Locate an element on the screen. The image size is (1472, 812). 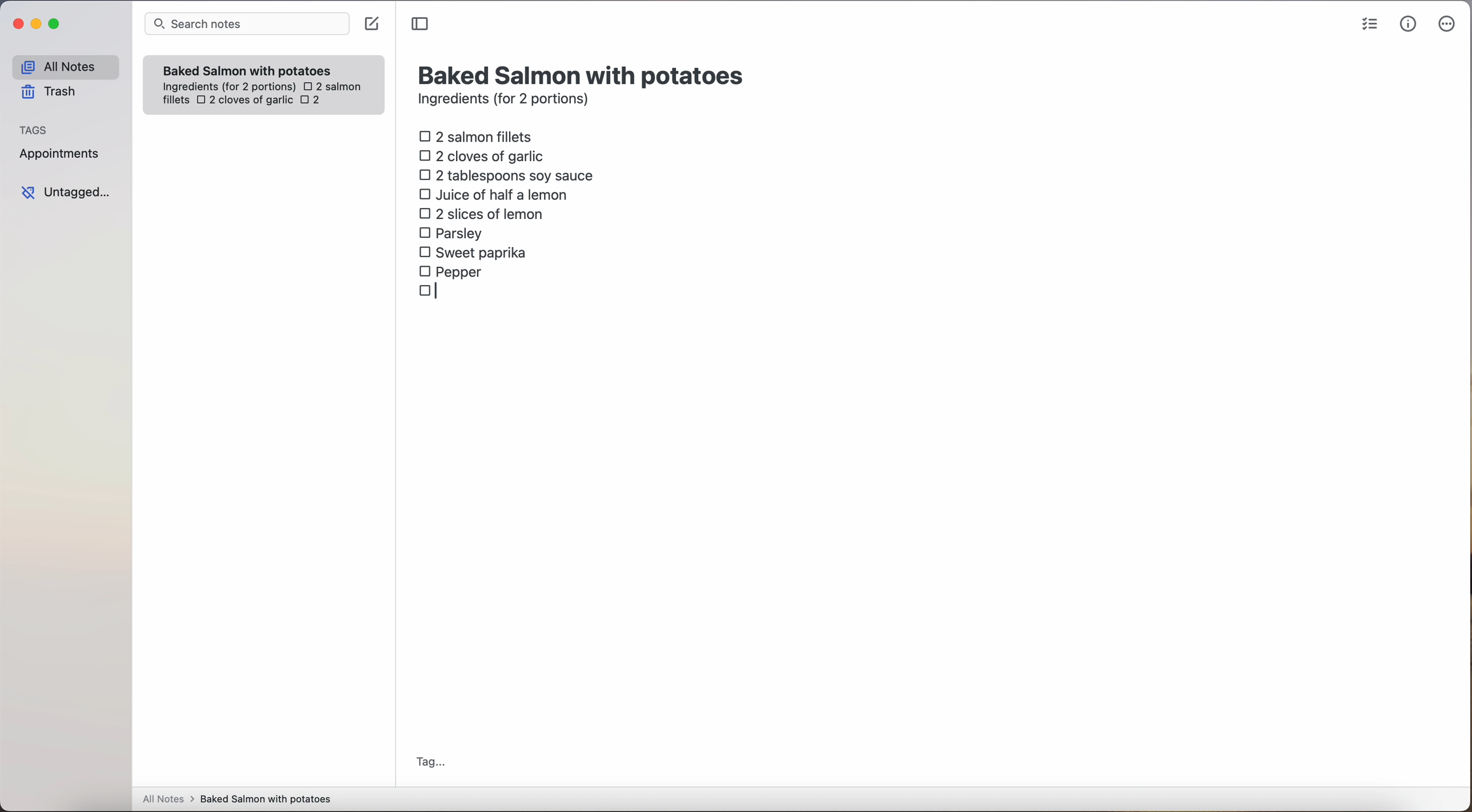
2 tablespoons soy sauce is located at coordinates (506, 175).